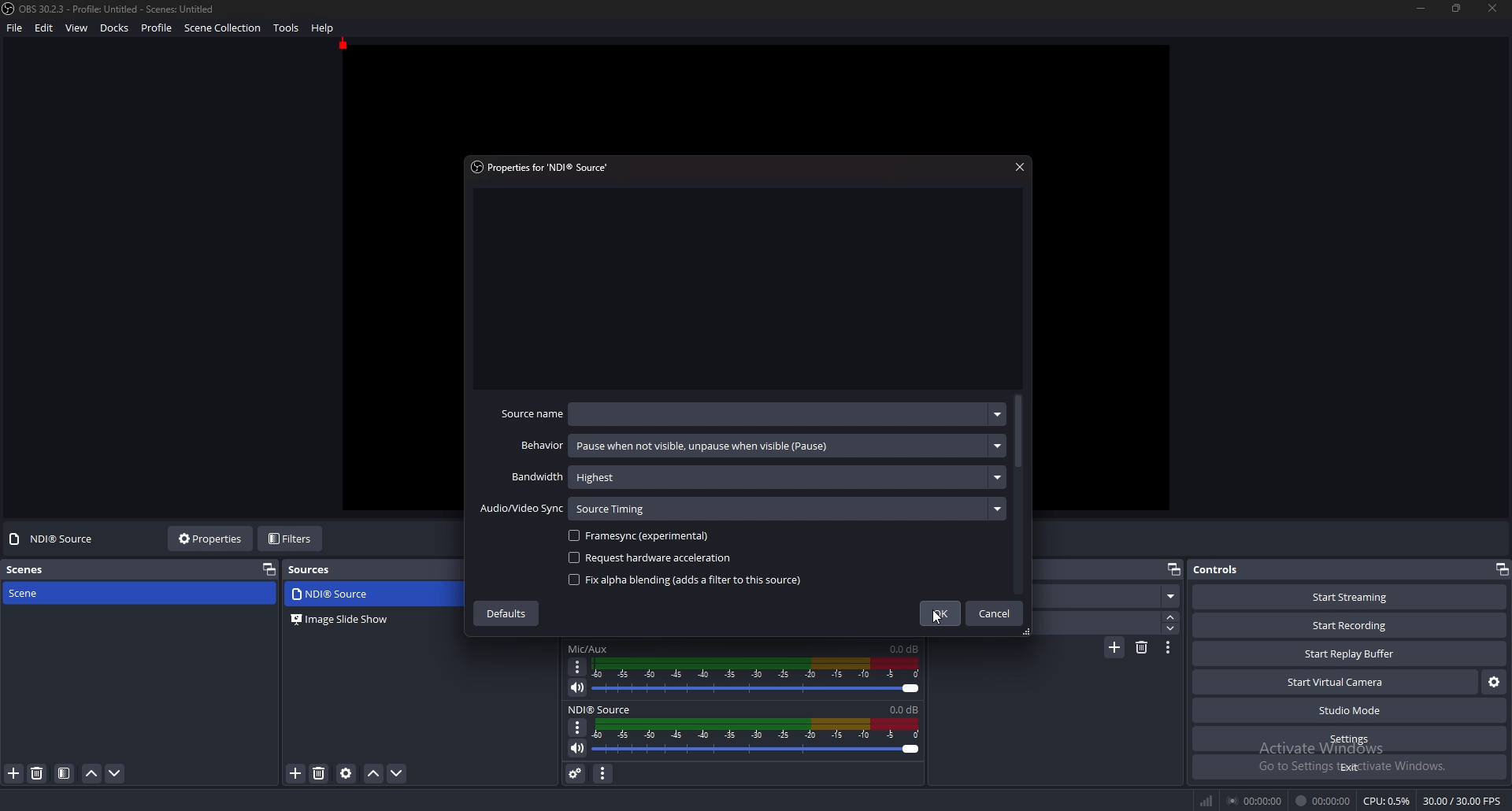 The height and width of the screenshot is (811, 1512). What do you see at coordinates (1171, 628) in the screenshot?
I see `decrease duration` at bounding box center [1171, 628].